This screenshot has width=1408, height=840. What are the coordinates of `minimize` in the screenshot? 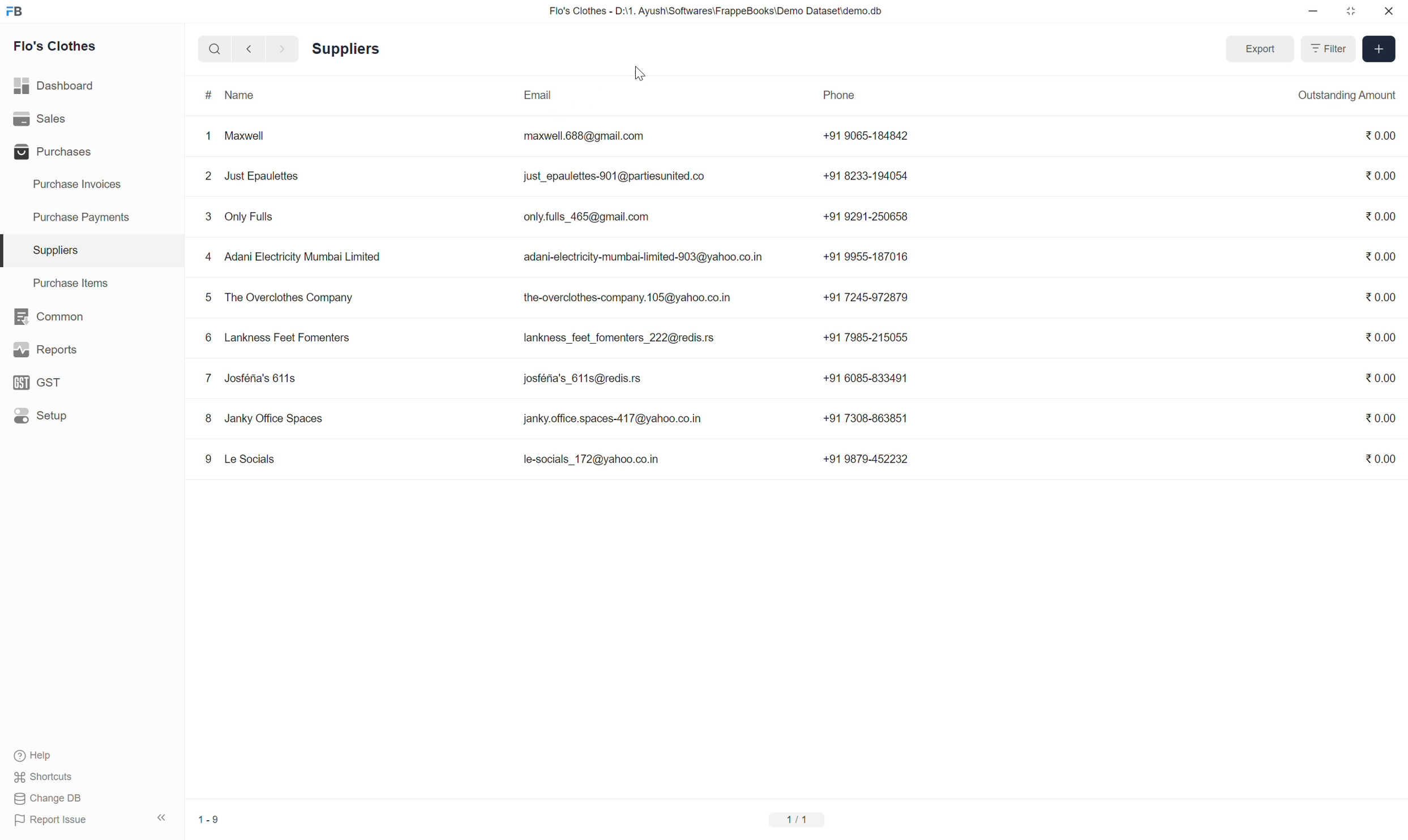 It's located at (1314, 12).